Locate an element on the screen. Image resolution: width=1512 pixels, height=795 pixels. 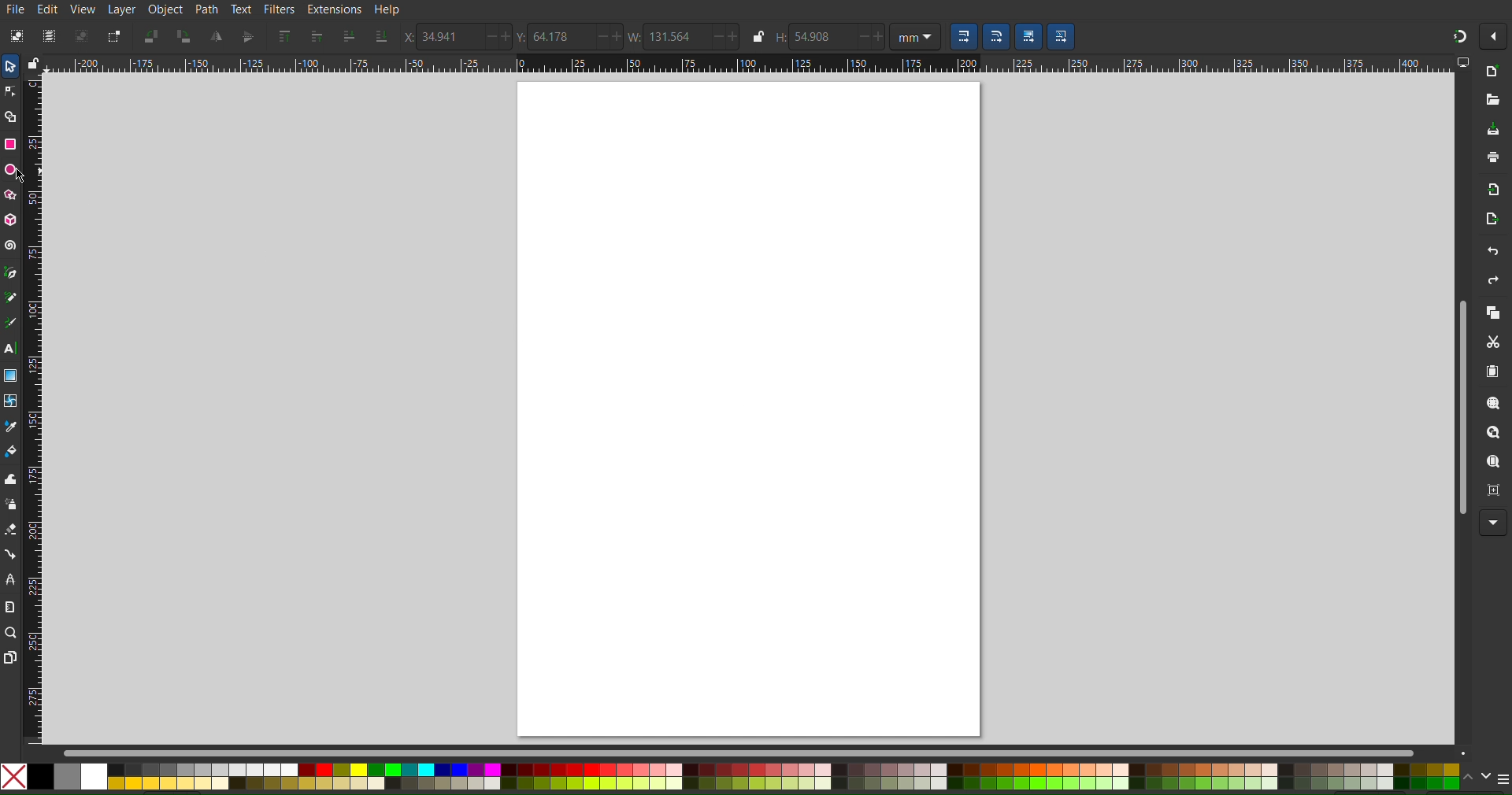
Zoom Selection is located at coordinates (1492, 404).